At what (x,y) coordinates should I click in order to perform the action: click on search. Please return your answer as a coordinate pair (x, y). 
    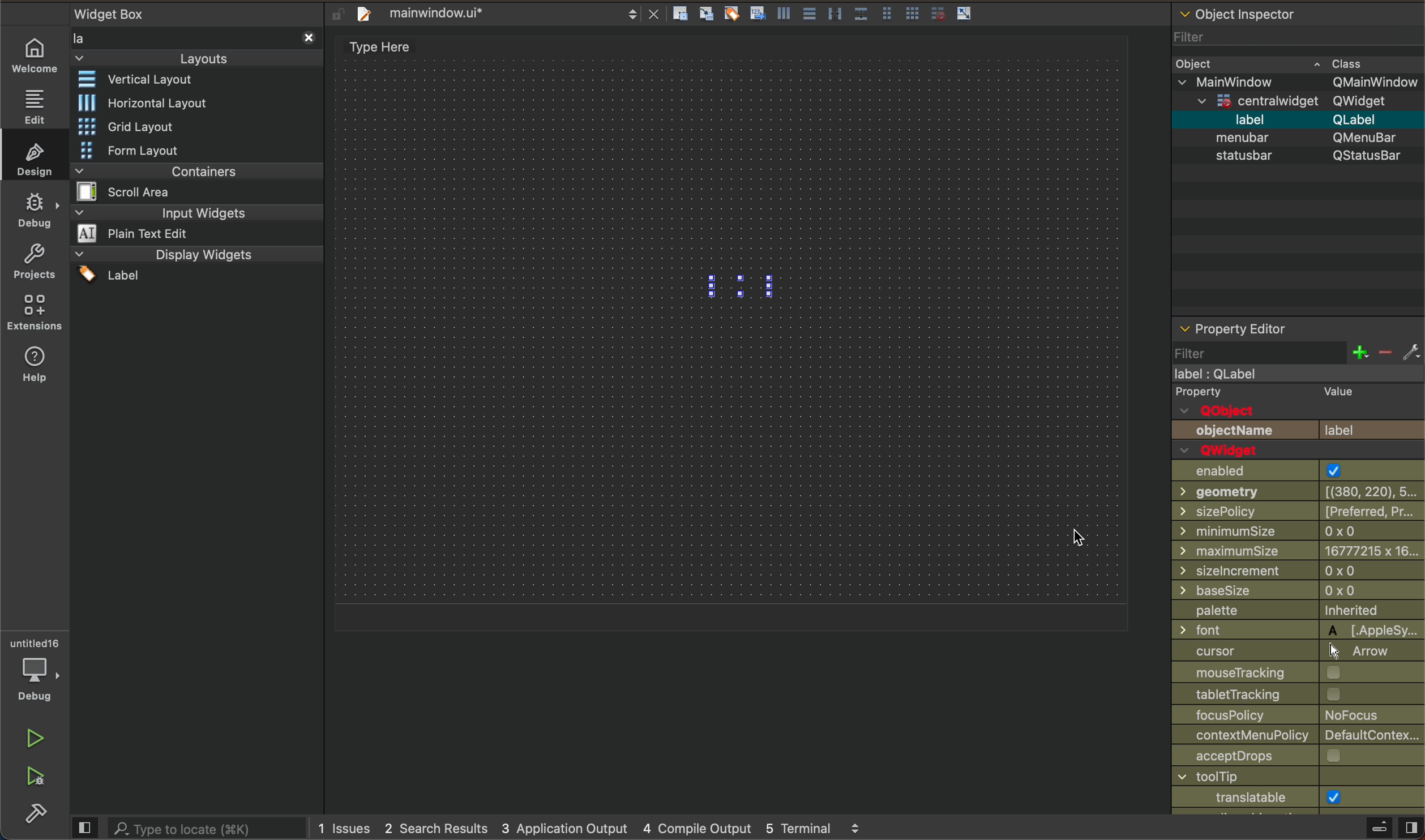
    Looking at the image, I should click on (187, 828).